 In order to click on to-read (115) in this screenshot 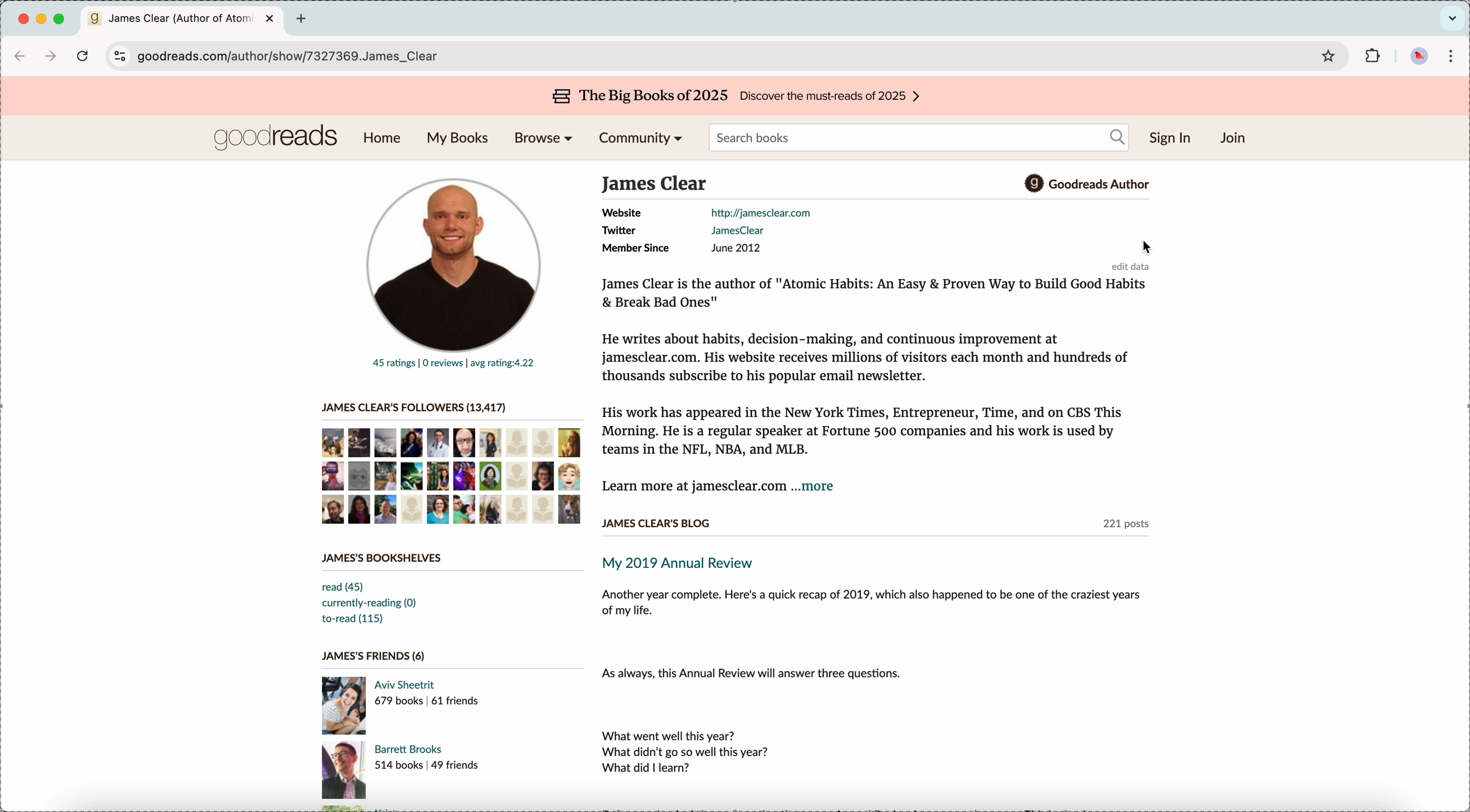, I will do `click(352, 619)`.